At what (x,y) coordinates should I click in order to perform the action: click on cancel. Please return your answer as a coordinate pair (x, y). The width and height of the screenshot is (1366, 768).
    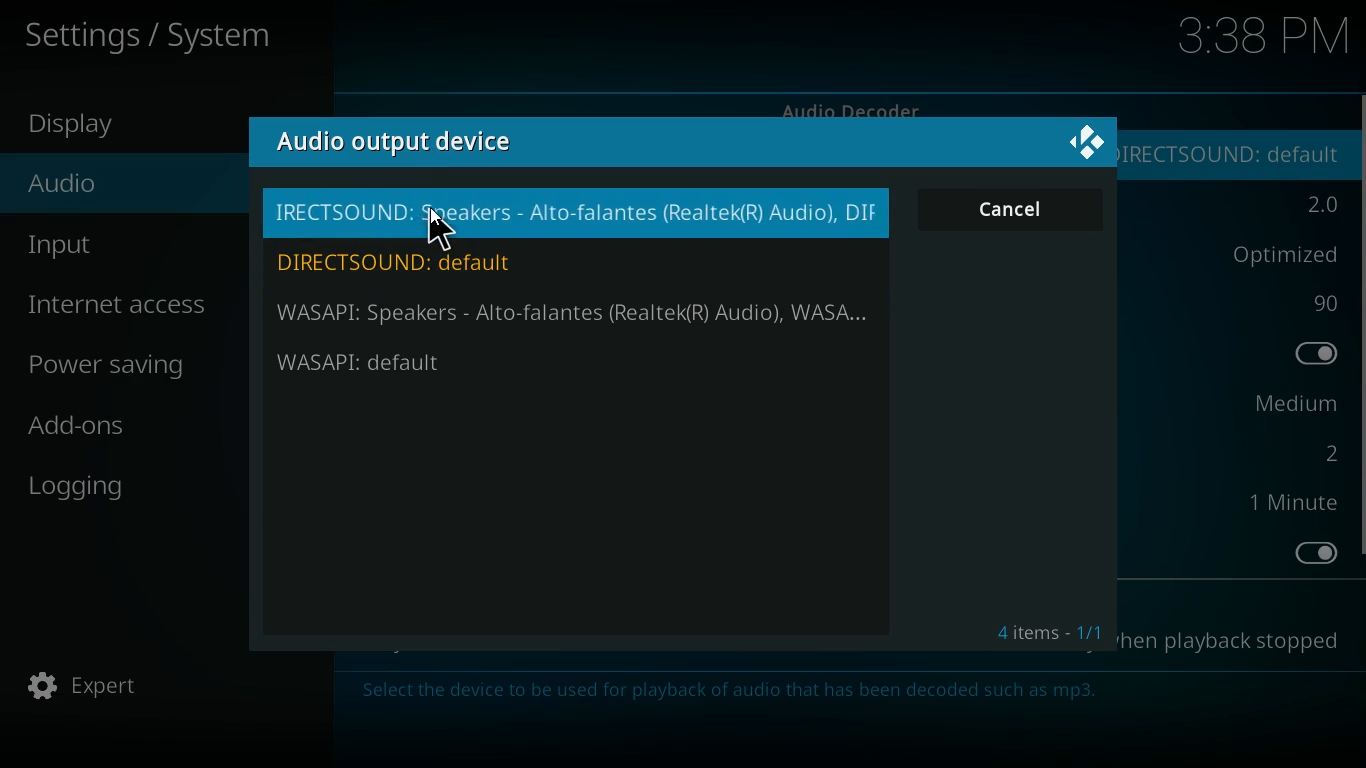
    Looking at the image, I should click on (1013, 210).